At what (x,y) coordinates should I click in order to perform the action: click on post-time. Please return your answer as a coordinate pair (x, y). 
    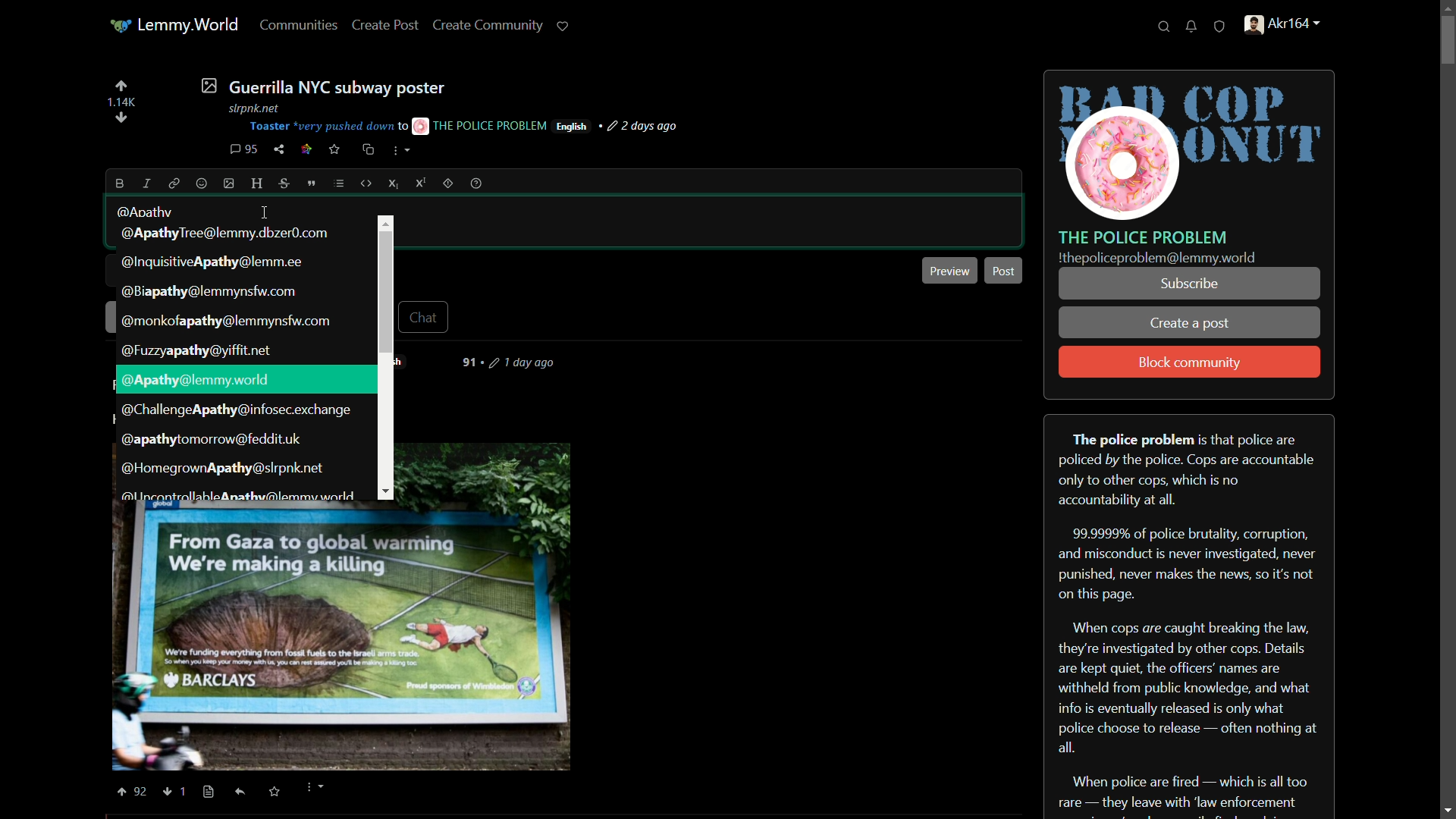
    Looking at the image, I should click on (645, 127).